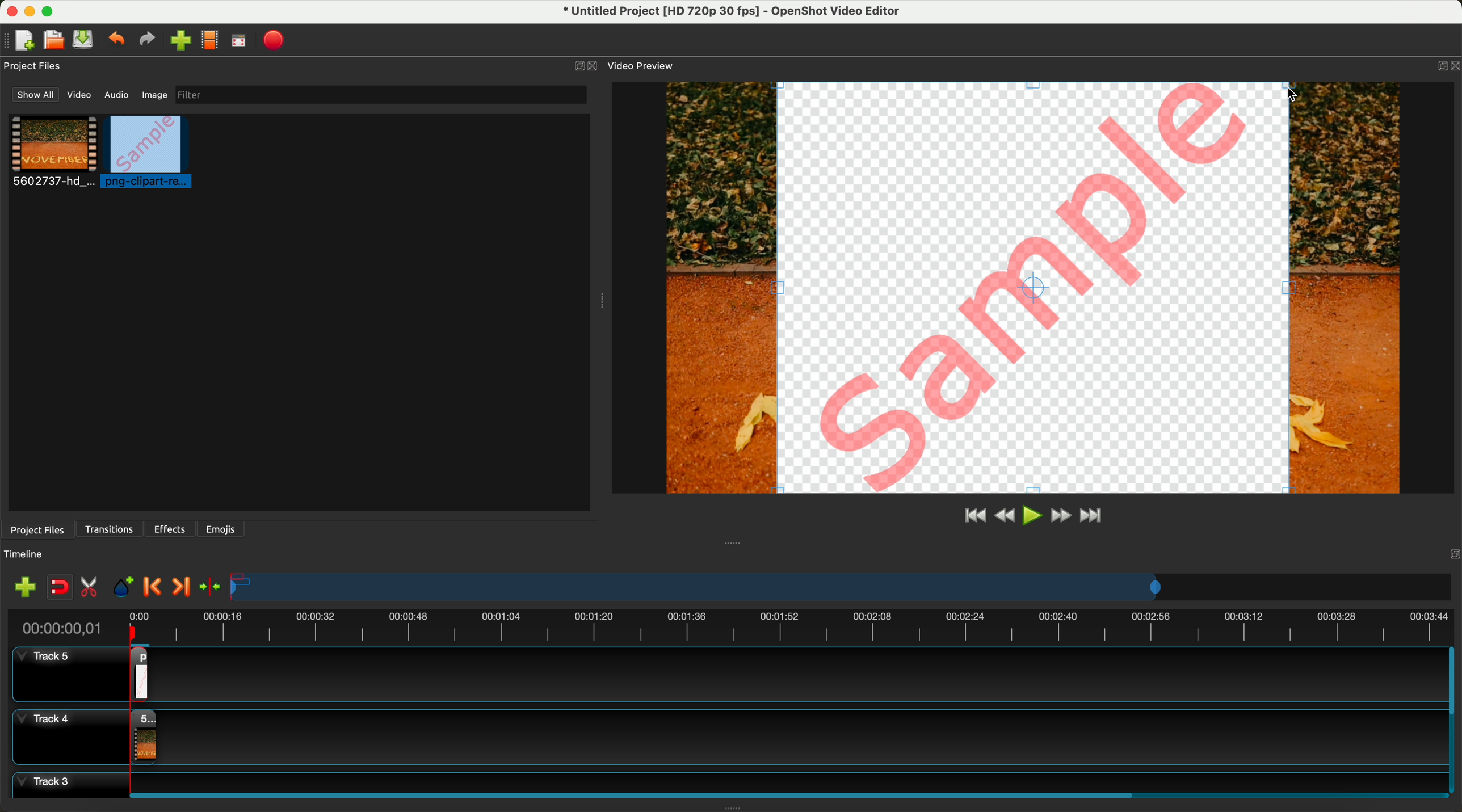 Image resolution: width=1462 pixels, height=812 pixels. Describe the element at coordinates (1093, 517) in the screenshot. I see `jump to end` at that location.